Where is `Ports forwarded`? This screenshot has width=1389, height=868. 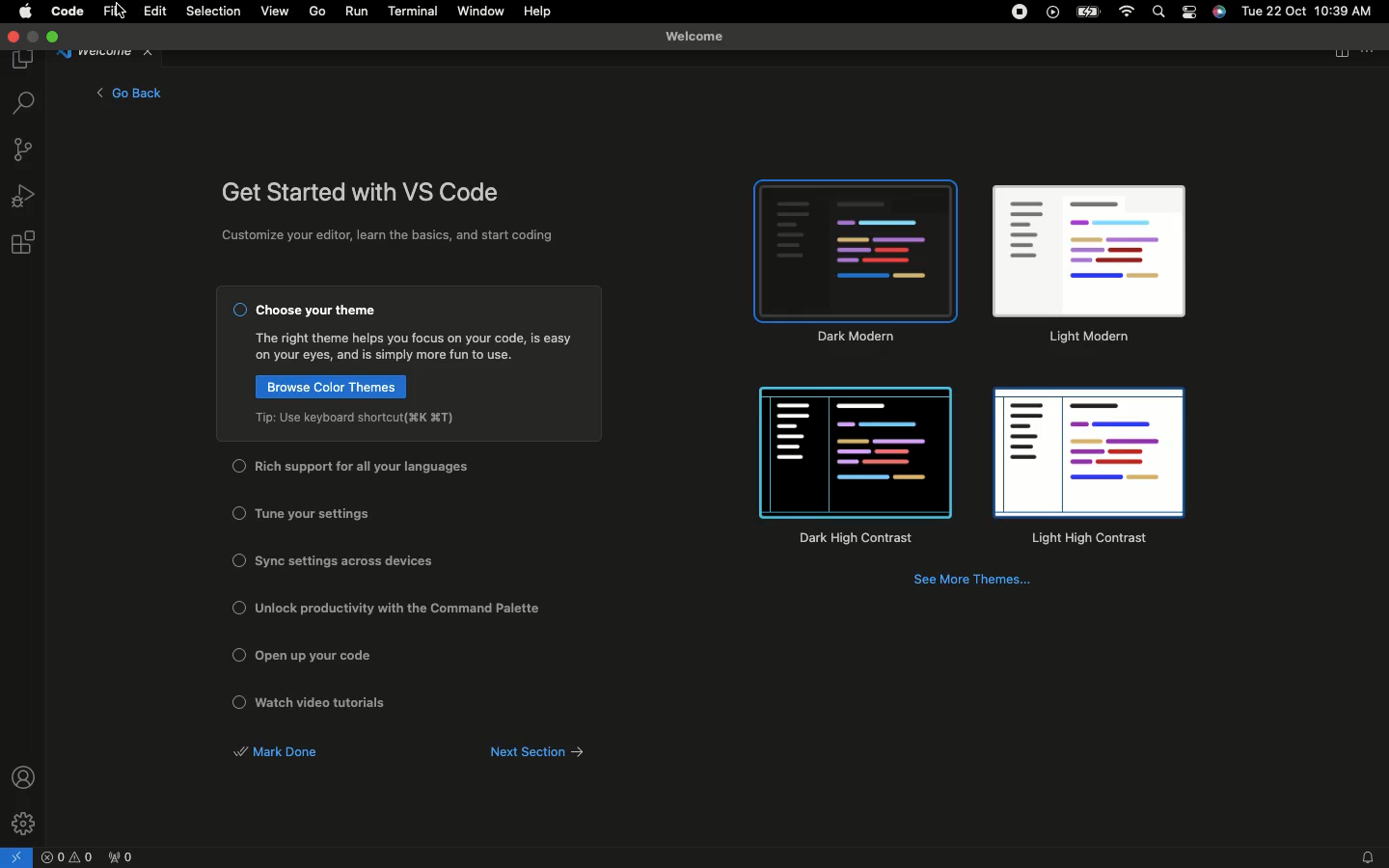 Ports forwarded is located at coordinates (125, 858).